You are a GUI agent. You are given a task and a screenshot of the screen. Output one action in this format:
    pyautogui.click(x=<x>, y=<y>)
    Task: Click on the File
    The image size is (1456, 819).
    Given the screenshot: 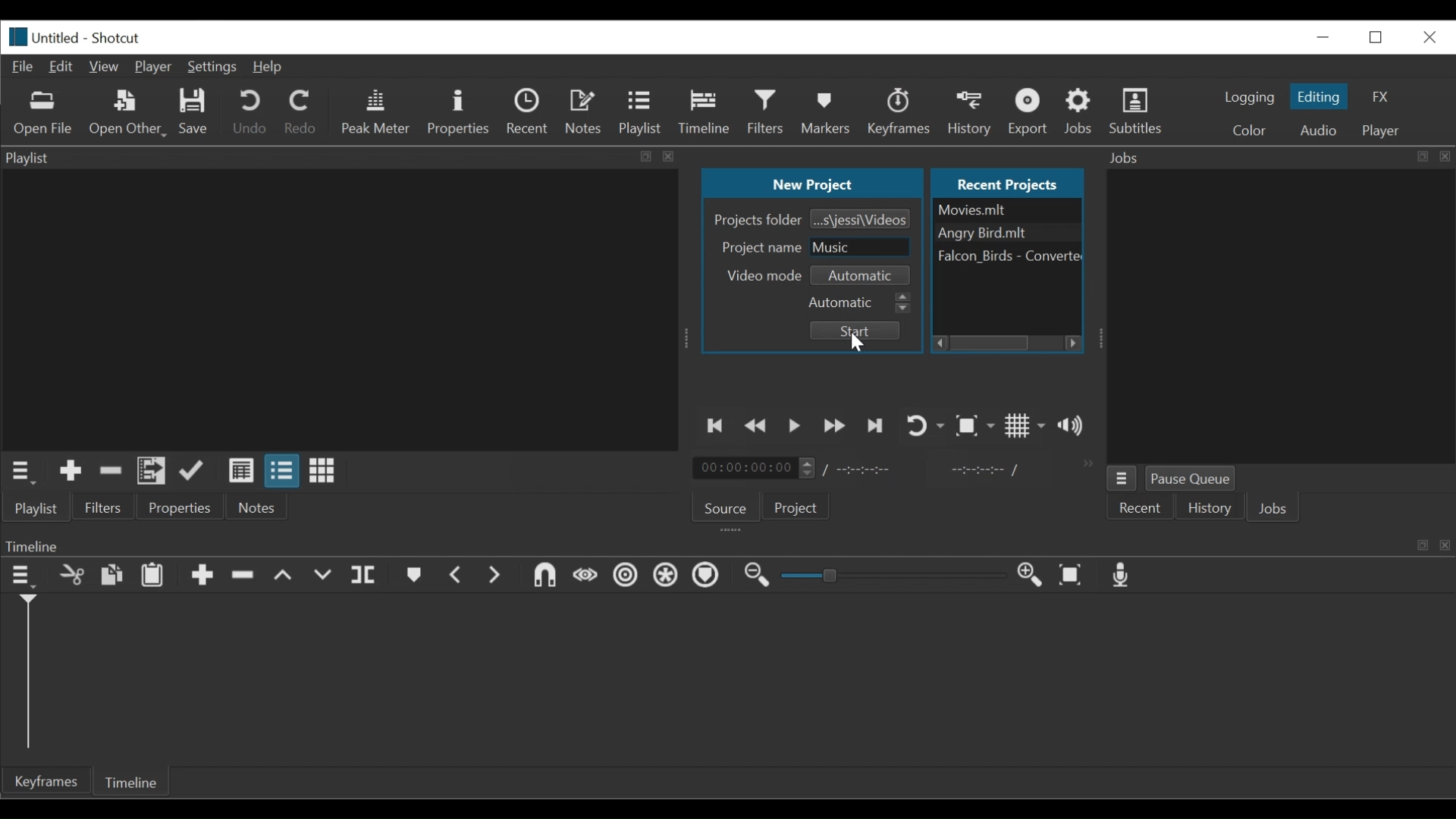 What is the action you would take?
    pyautogui.click(x=1007, y=256)
    